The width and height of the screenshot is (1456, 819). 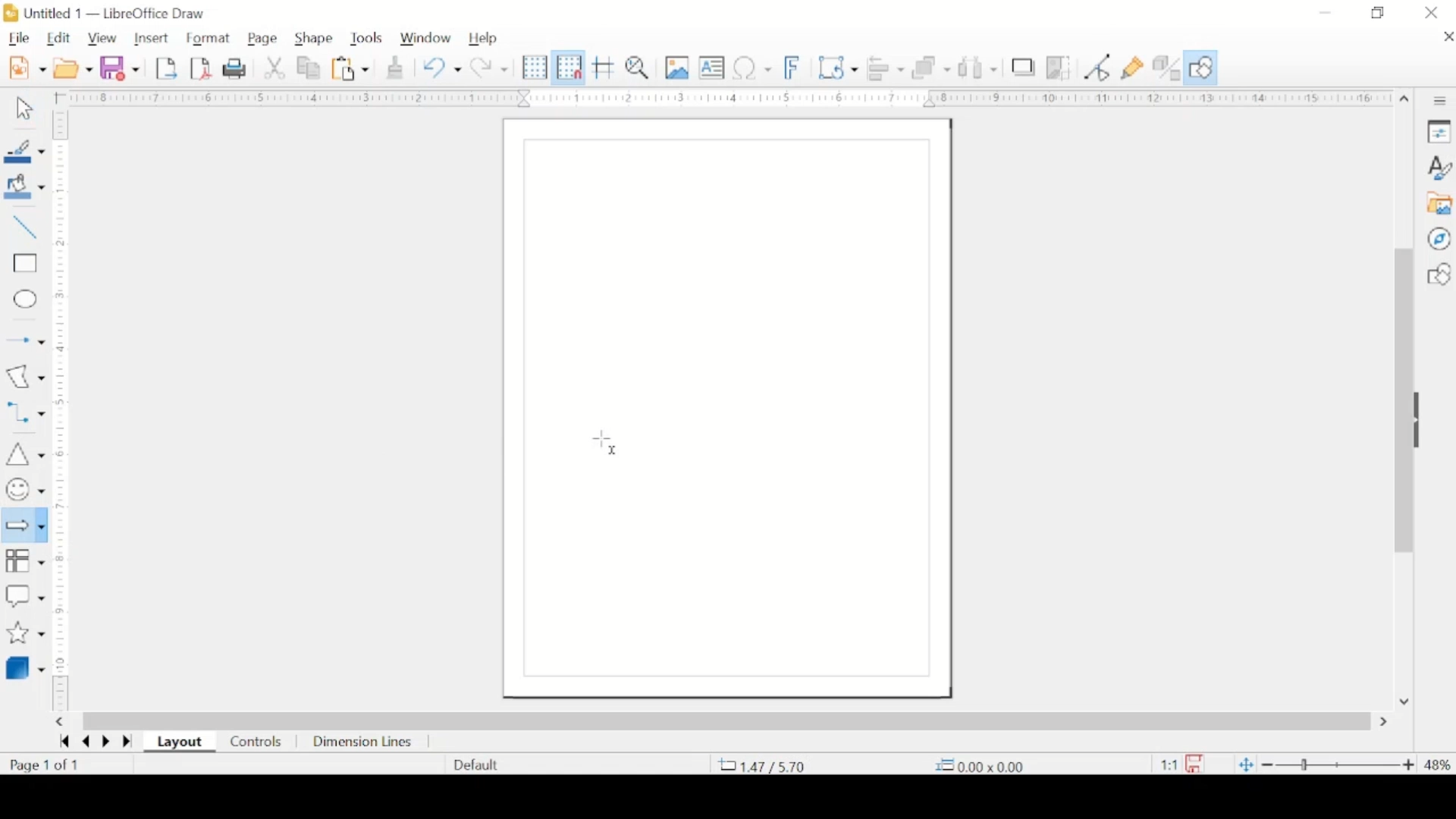 I want to click on file, so click(x=19, y=39).